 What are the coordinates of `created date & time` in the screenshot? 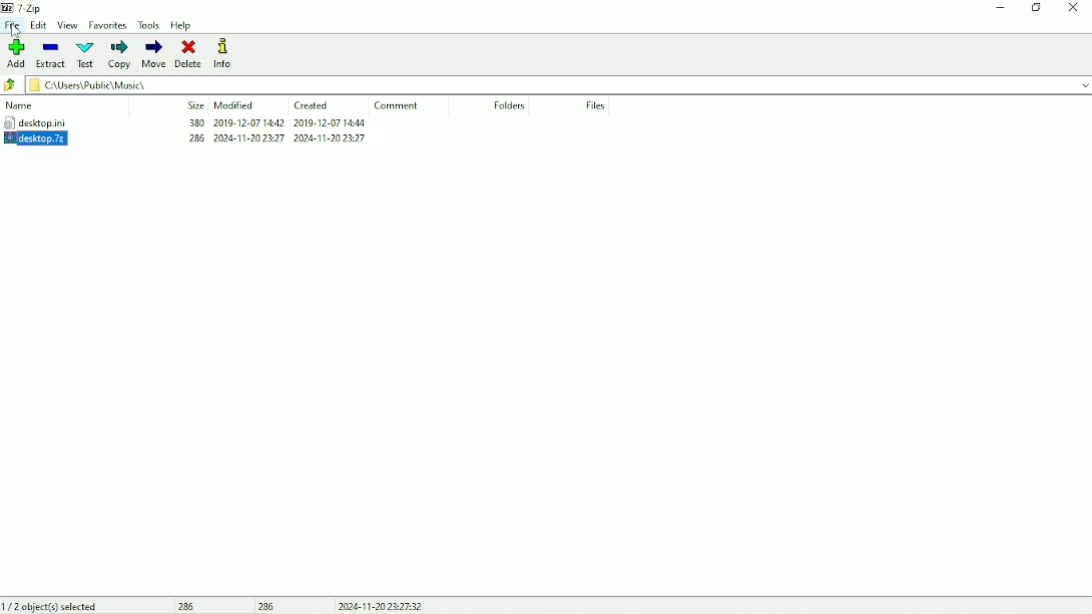 It's located at (330, 138).